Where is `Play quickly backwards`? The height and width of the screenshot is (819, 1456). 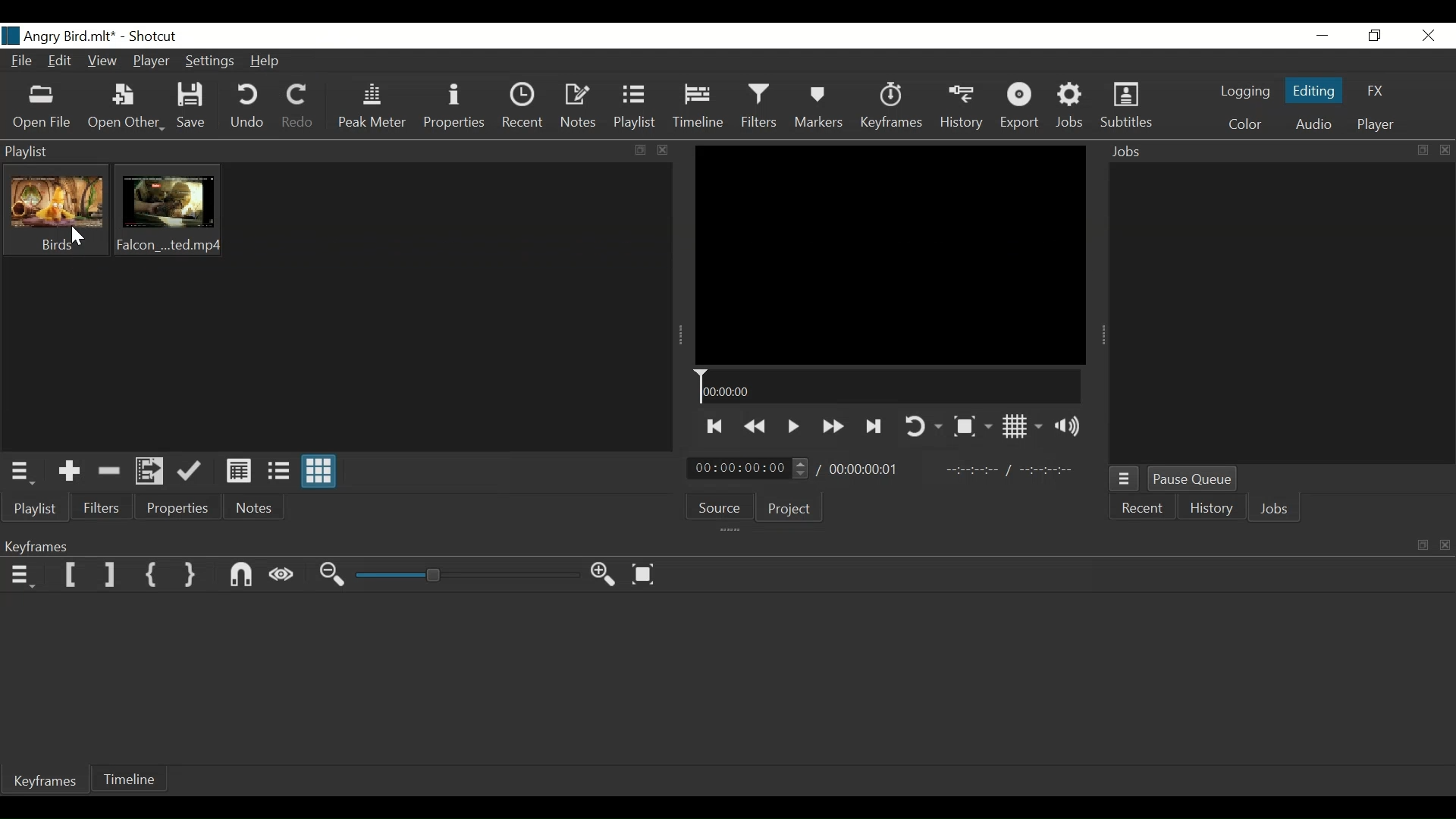 Play quickly backwards is located at coordinates (756, 426).